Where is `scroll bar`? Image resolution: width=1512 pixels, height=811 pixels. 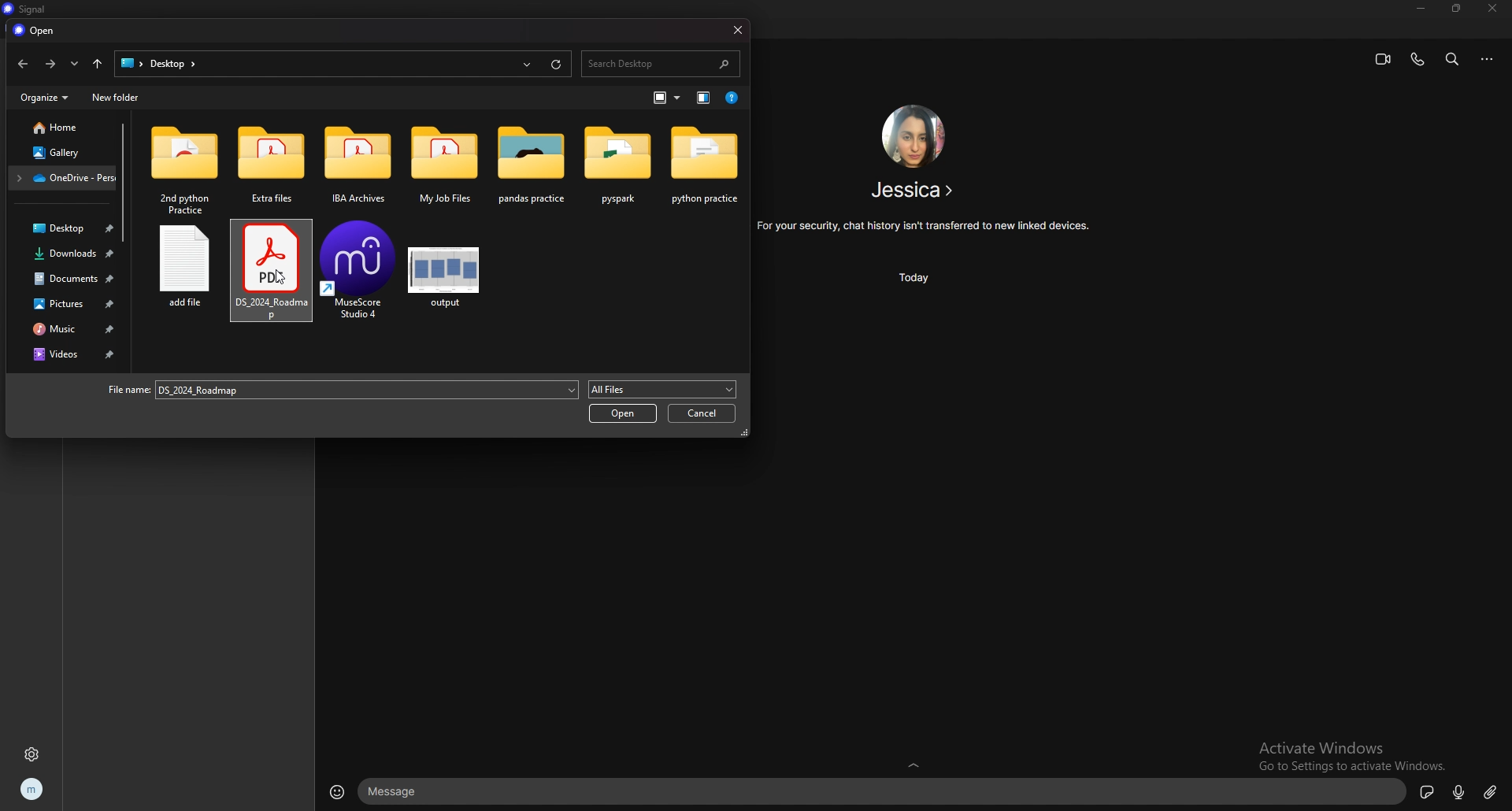 scroll bar is located at coordinates (122, 182).